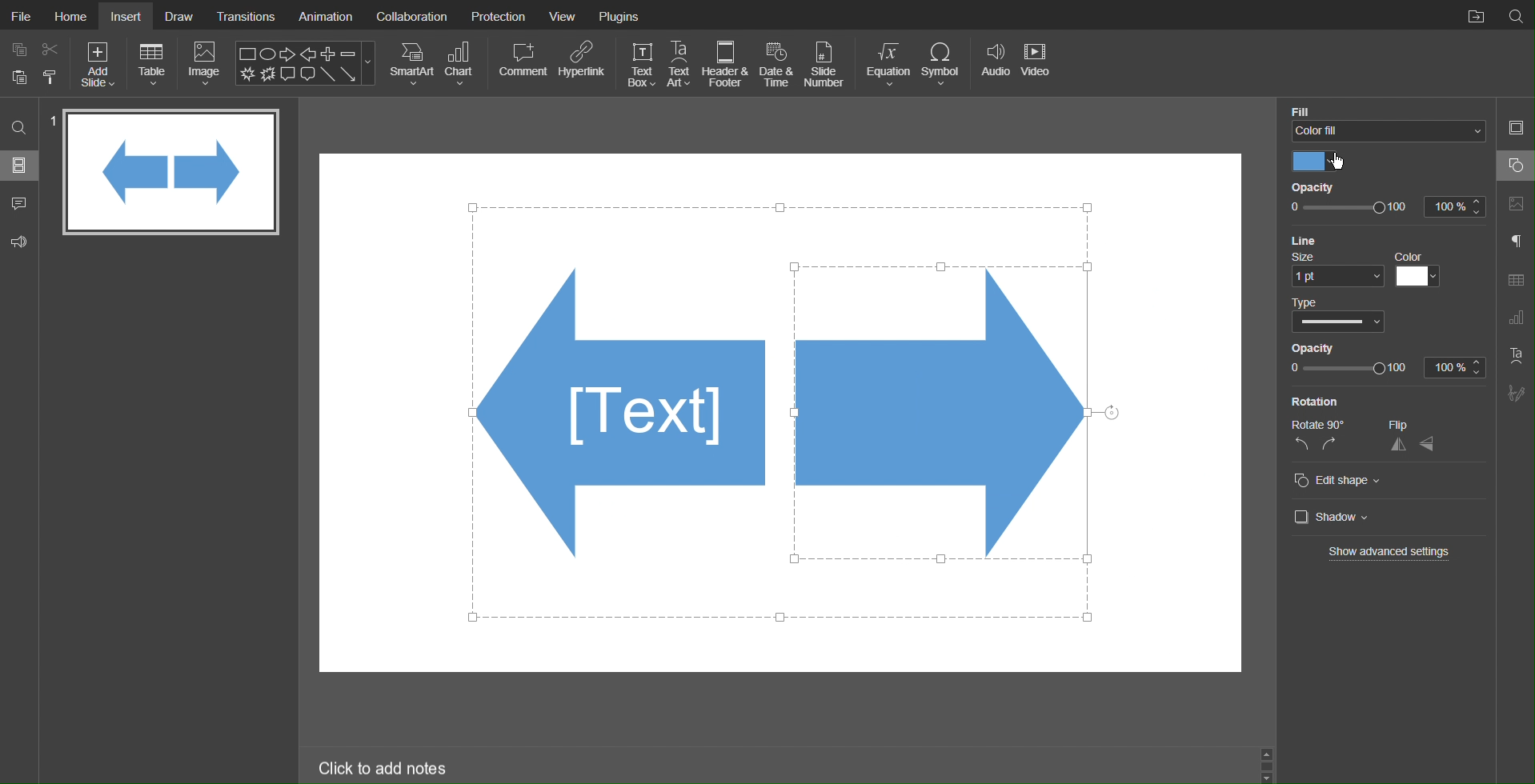 The height and width of the screenshot is (784, 1535). What do you see at coordinates (128, 16) in the screenshot?
I see `Insert` at bounding box center [128, 16].